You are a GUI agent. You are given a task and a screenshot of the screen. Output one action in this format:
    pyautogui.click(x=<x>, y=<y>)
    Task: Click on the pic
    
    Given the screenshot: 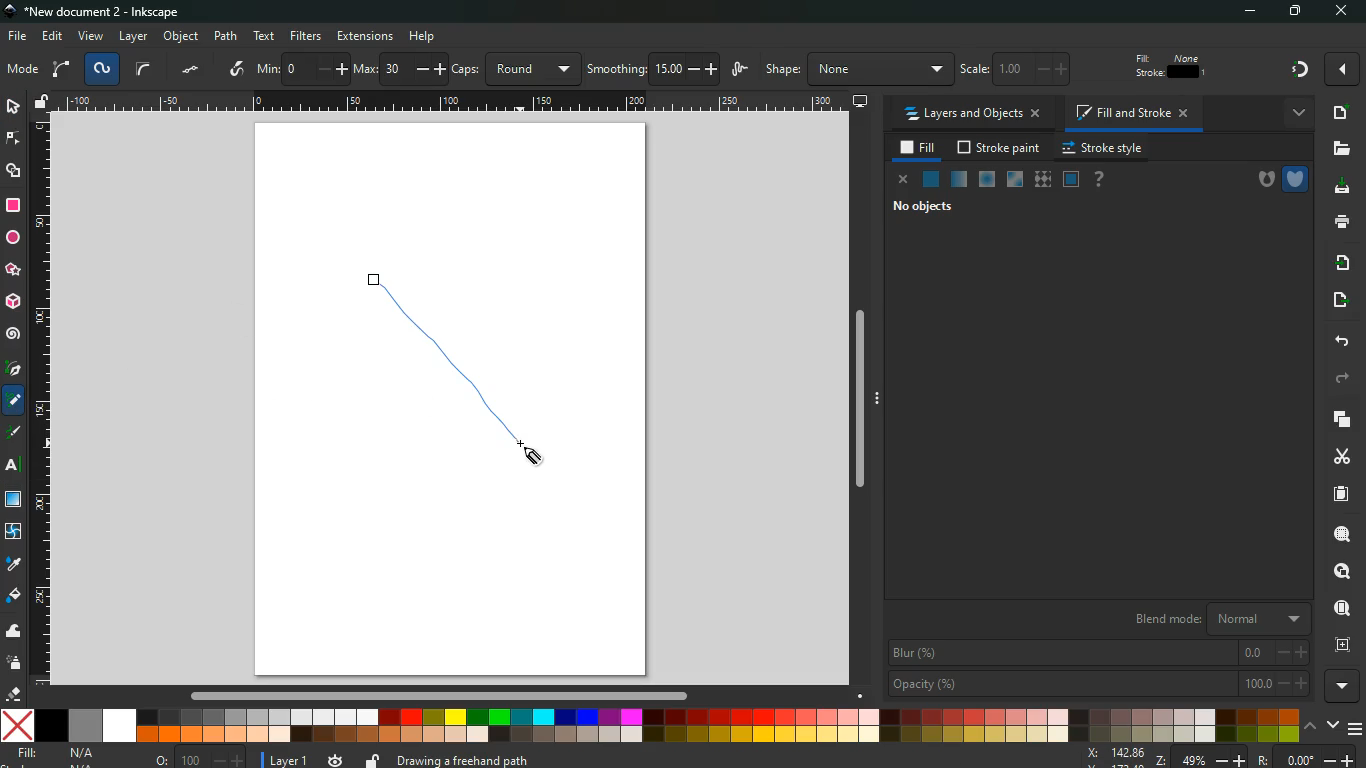 What is the action you would take?
    pyautogui.click(x=13, y=369)
    